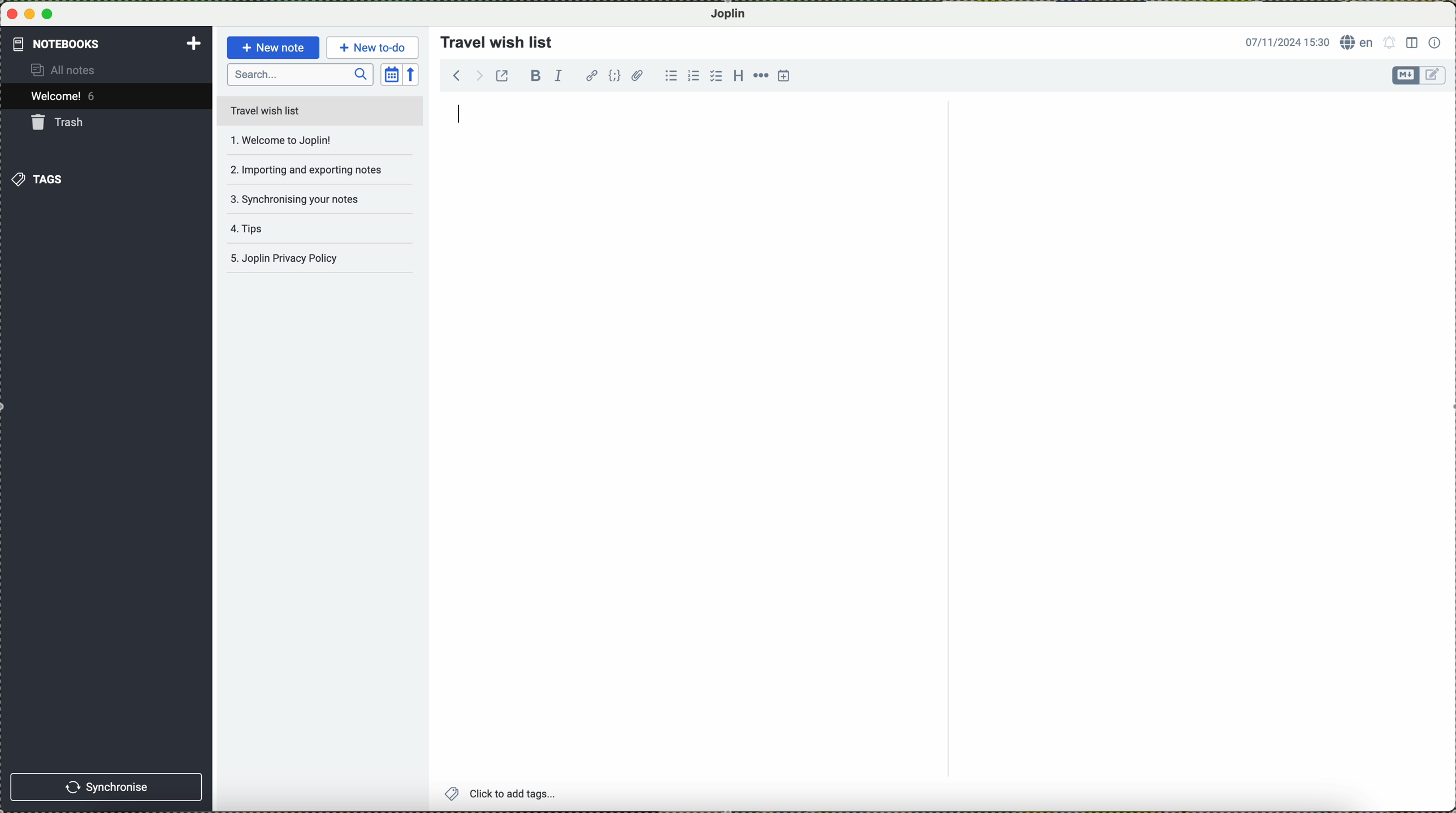 The width and height of the screenshot is (1456, 813). Describe the element at coordinates (714, 76) in the screenshot. I see `checkbox` at that location.